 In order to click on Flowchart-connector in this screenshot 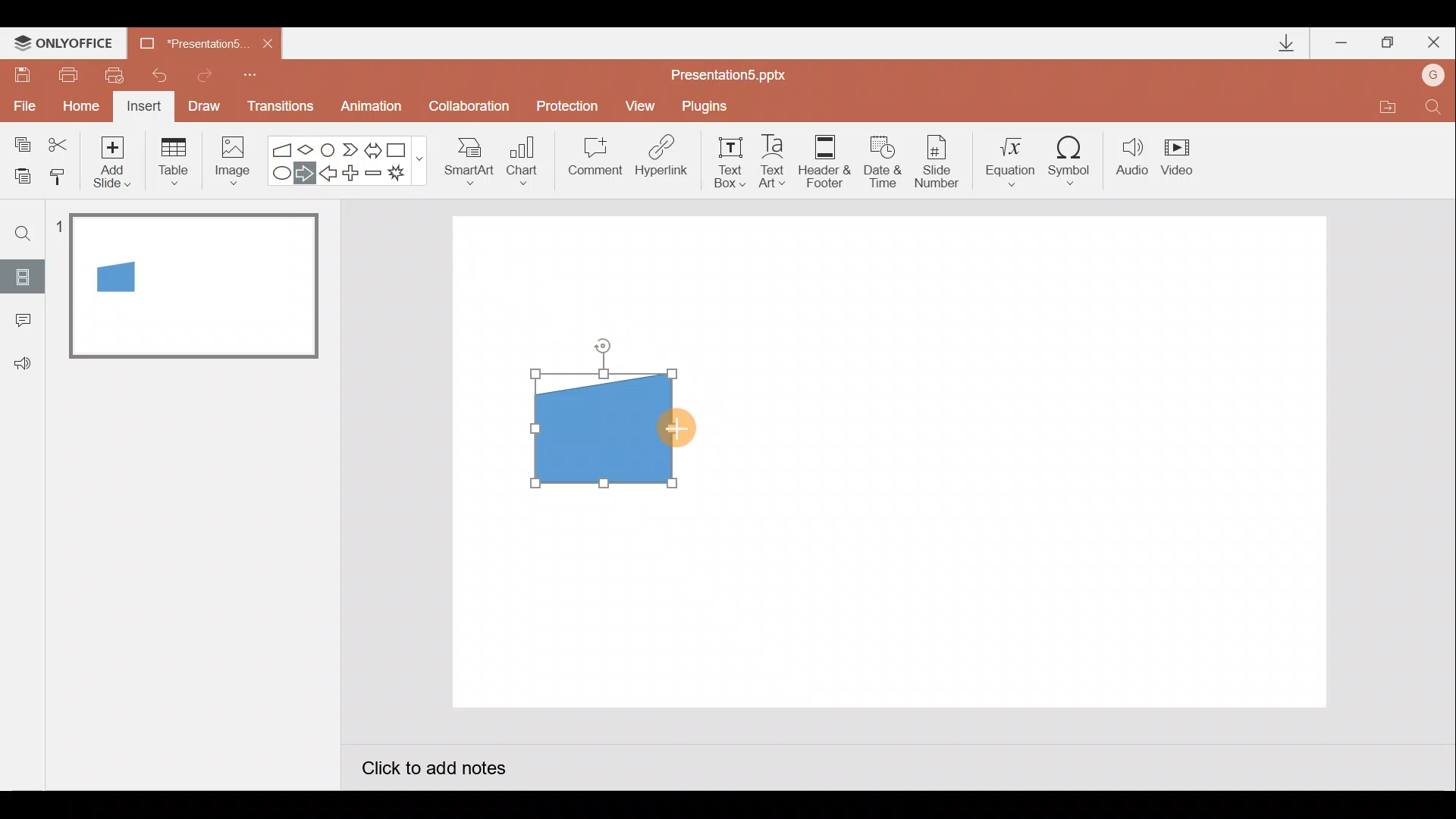, I will do `click(329, 149)`.